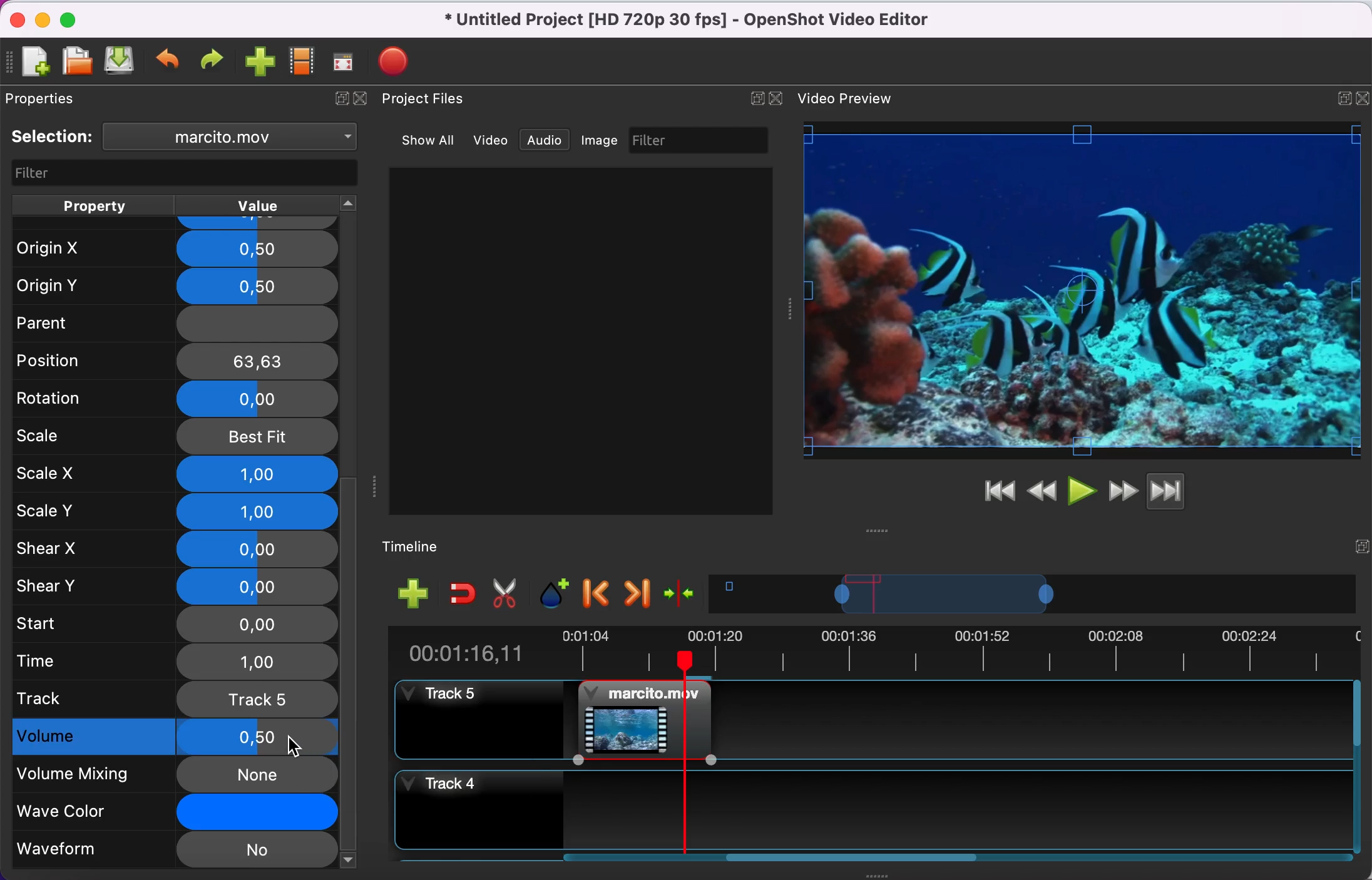 The height and width of the screenshot is (880, 1372). I want to click on waveform no, so click(174, 851).